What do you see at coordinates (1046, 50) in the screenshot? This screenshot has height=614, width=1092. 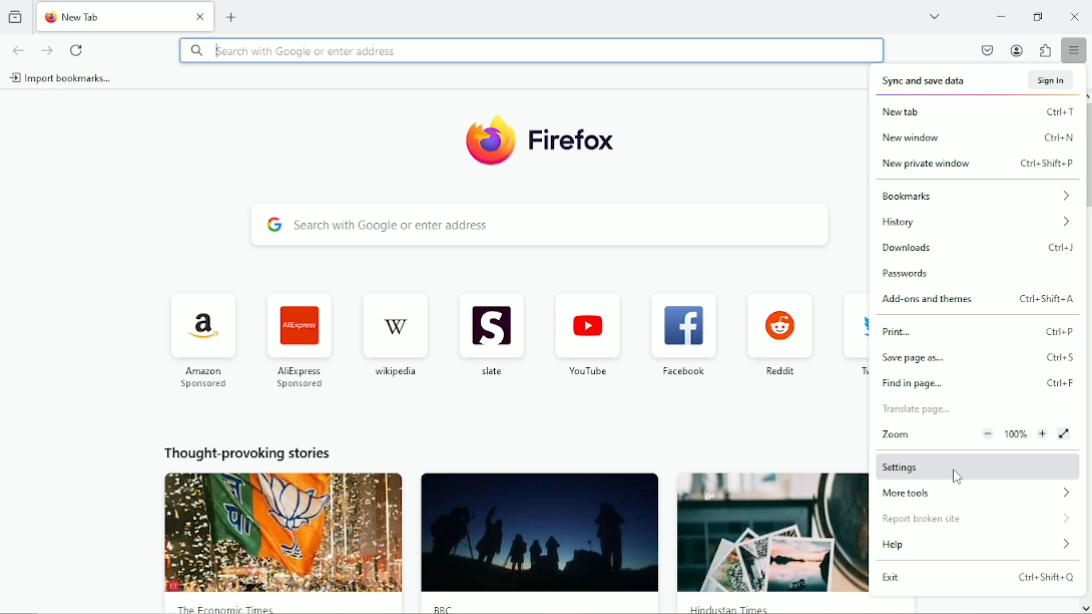 I see `extensions` at bounding box center [1046, 50].